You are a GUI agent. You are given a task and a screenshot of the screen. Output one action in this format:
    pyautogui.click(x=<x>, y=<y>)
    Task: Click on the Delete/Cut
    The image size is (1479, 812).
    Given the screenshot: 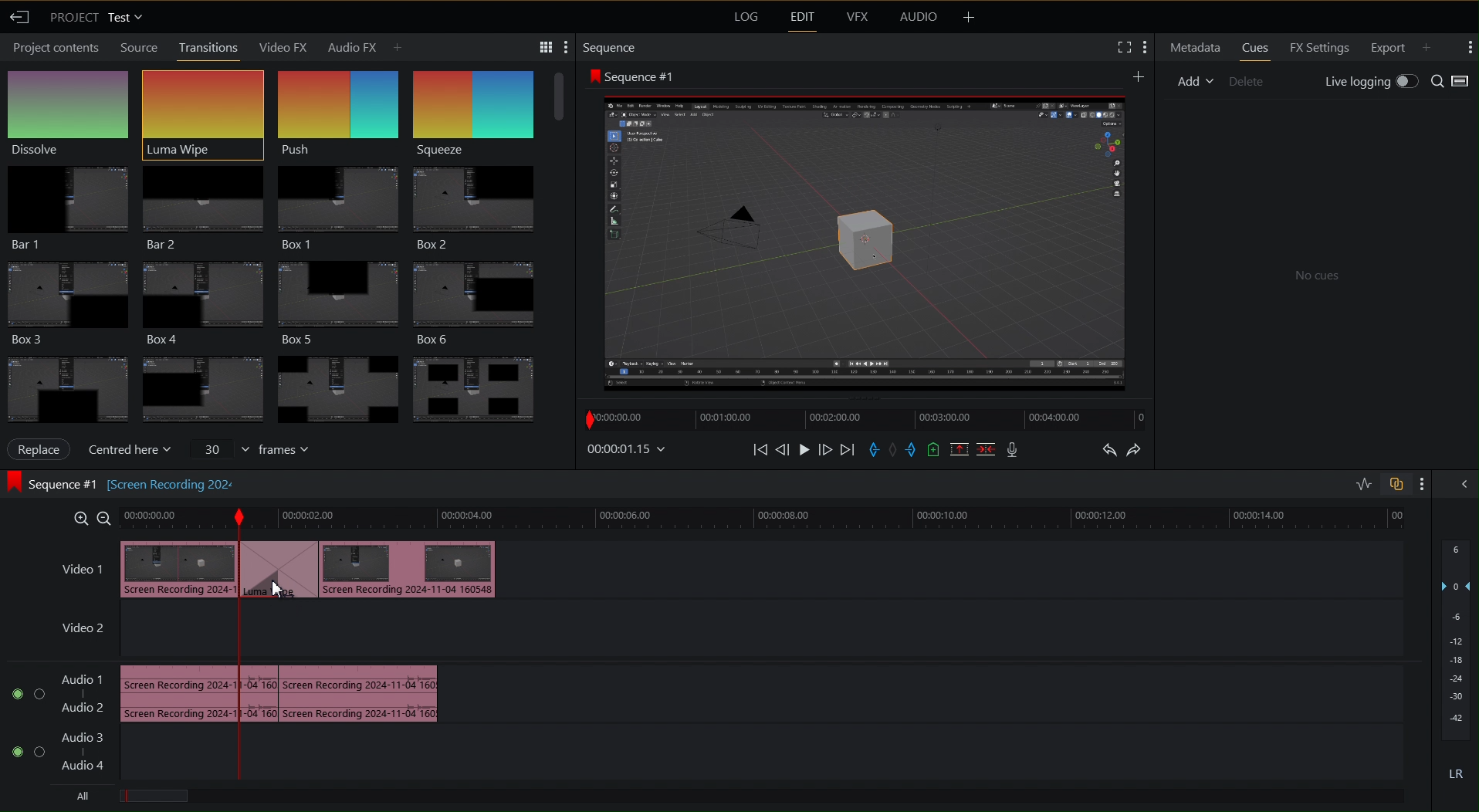 What is the action you would take?
    pyautogui.click(x=987, y=449)
    